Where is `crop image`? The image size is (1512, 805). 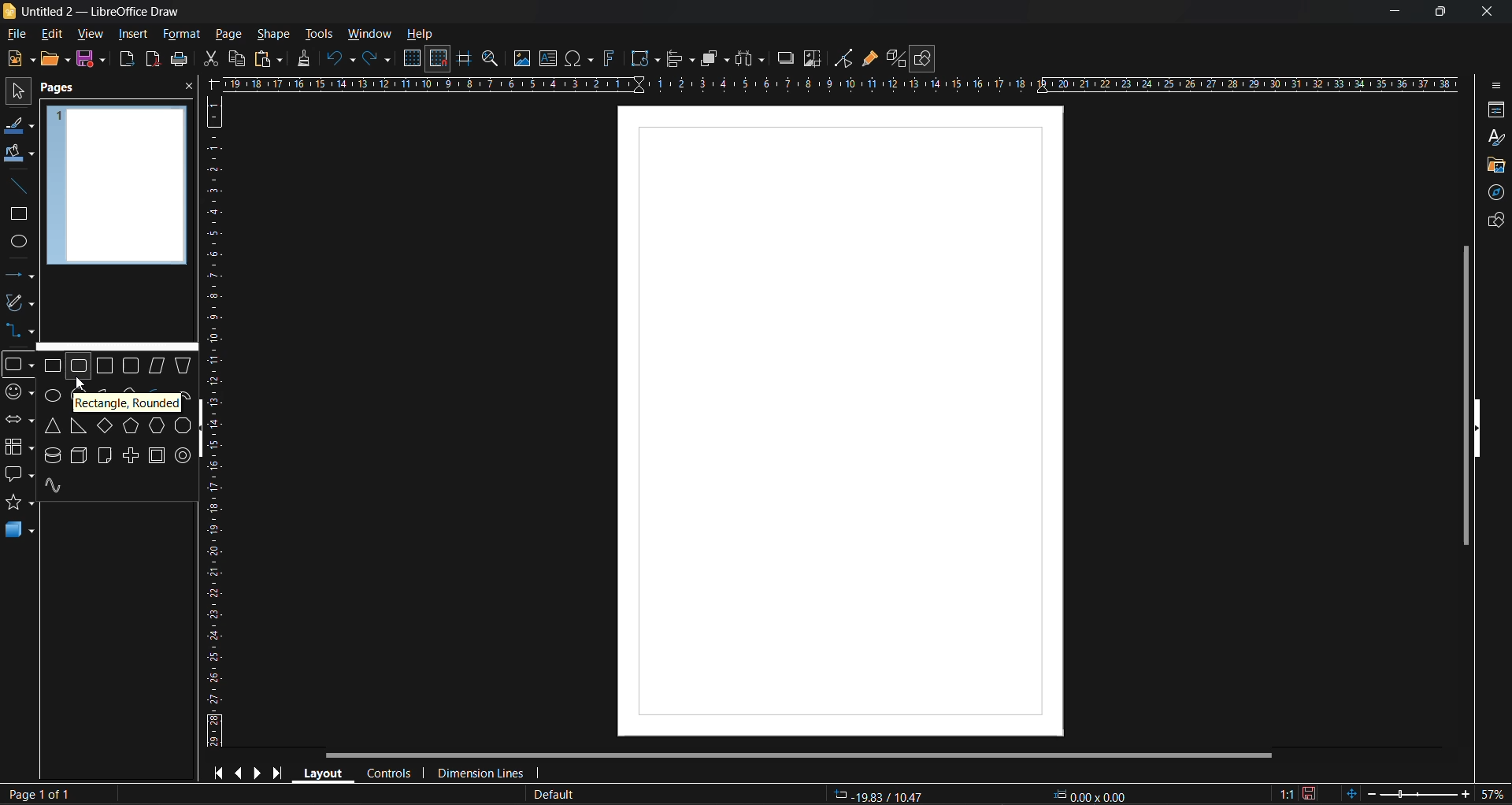 crop image is located at coordinates (813, 59).